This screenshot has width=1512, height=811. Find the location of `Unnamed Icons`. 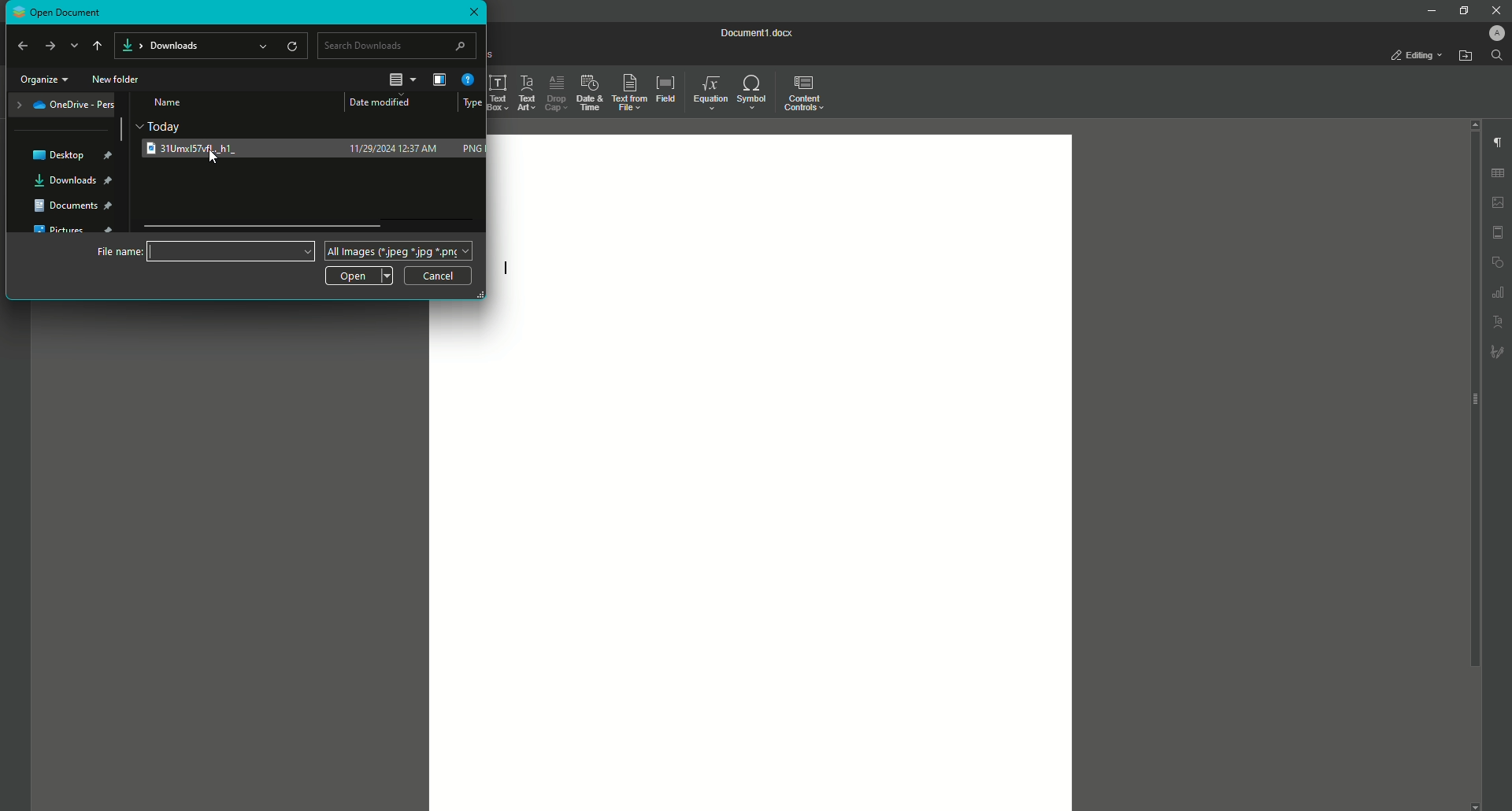

Unnamed Icons is located at coordinates (1498, 263).